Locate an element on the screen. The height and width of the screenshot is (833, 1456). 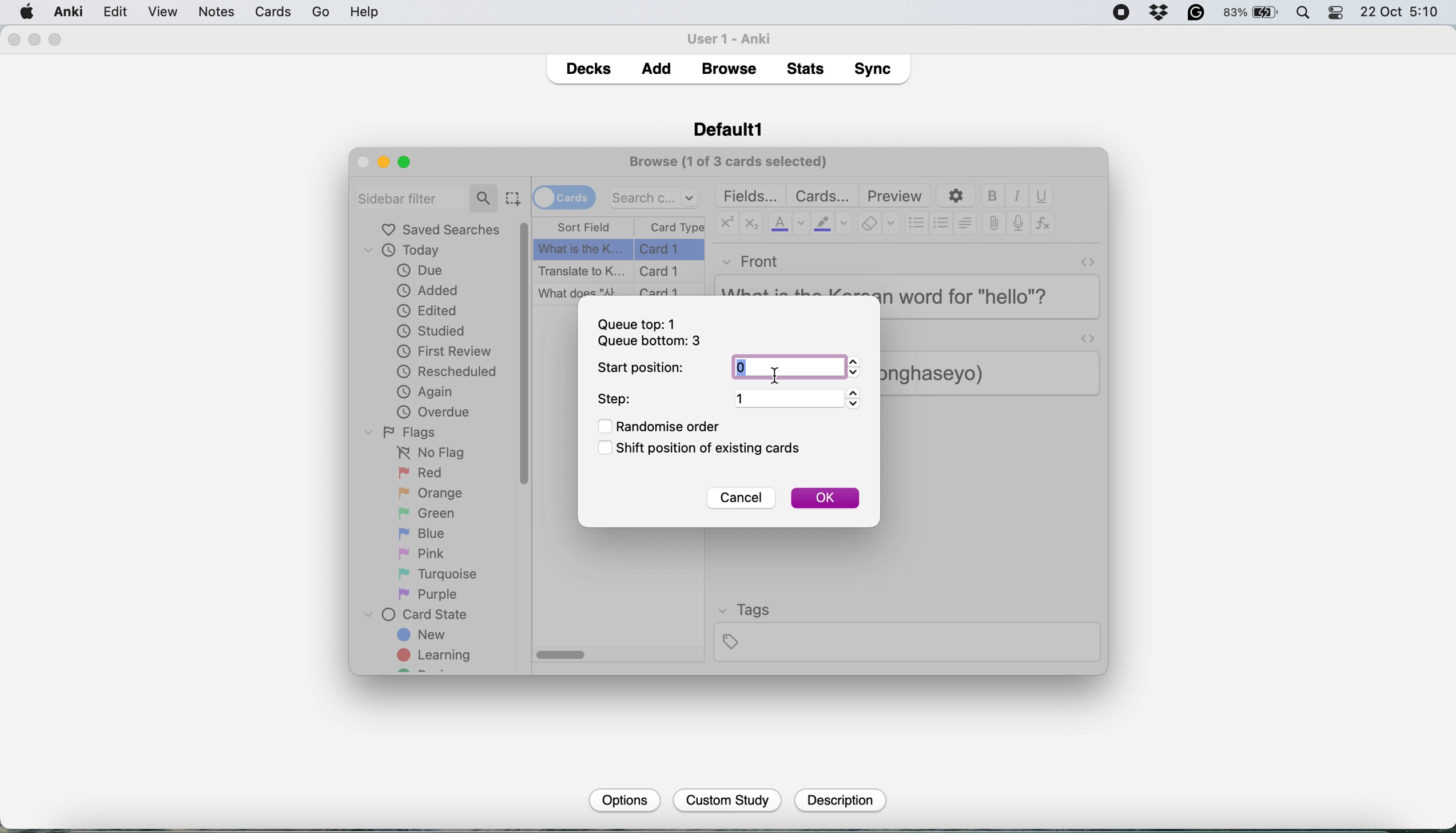
bold is located at coordinates (995, 196).